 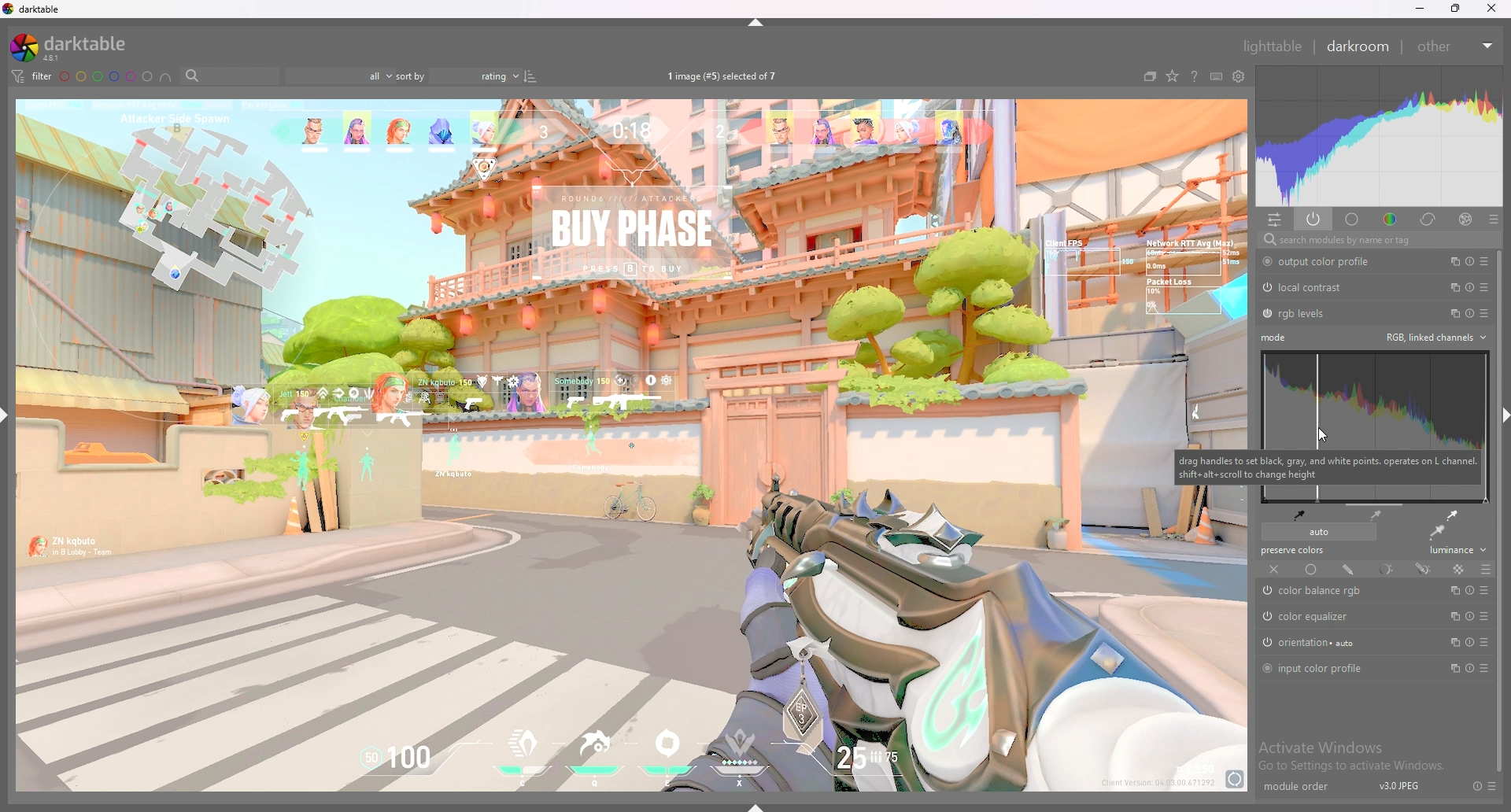 What do you see at coordinates (1313, 219) in the screenshot?
I see `show active modules` at bounding box center [1313, 219].